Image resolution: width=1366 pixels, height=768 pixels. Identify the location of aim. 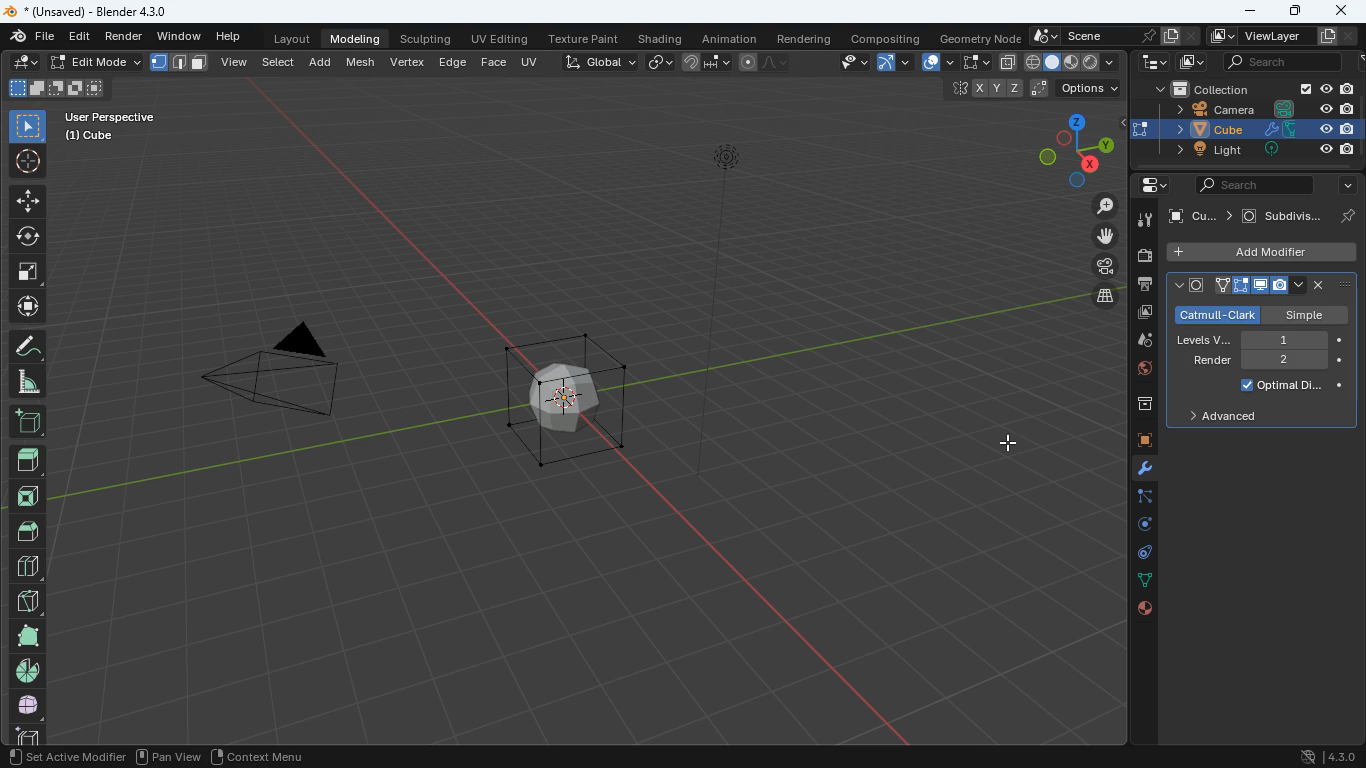
(26, 161).